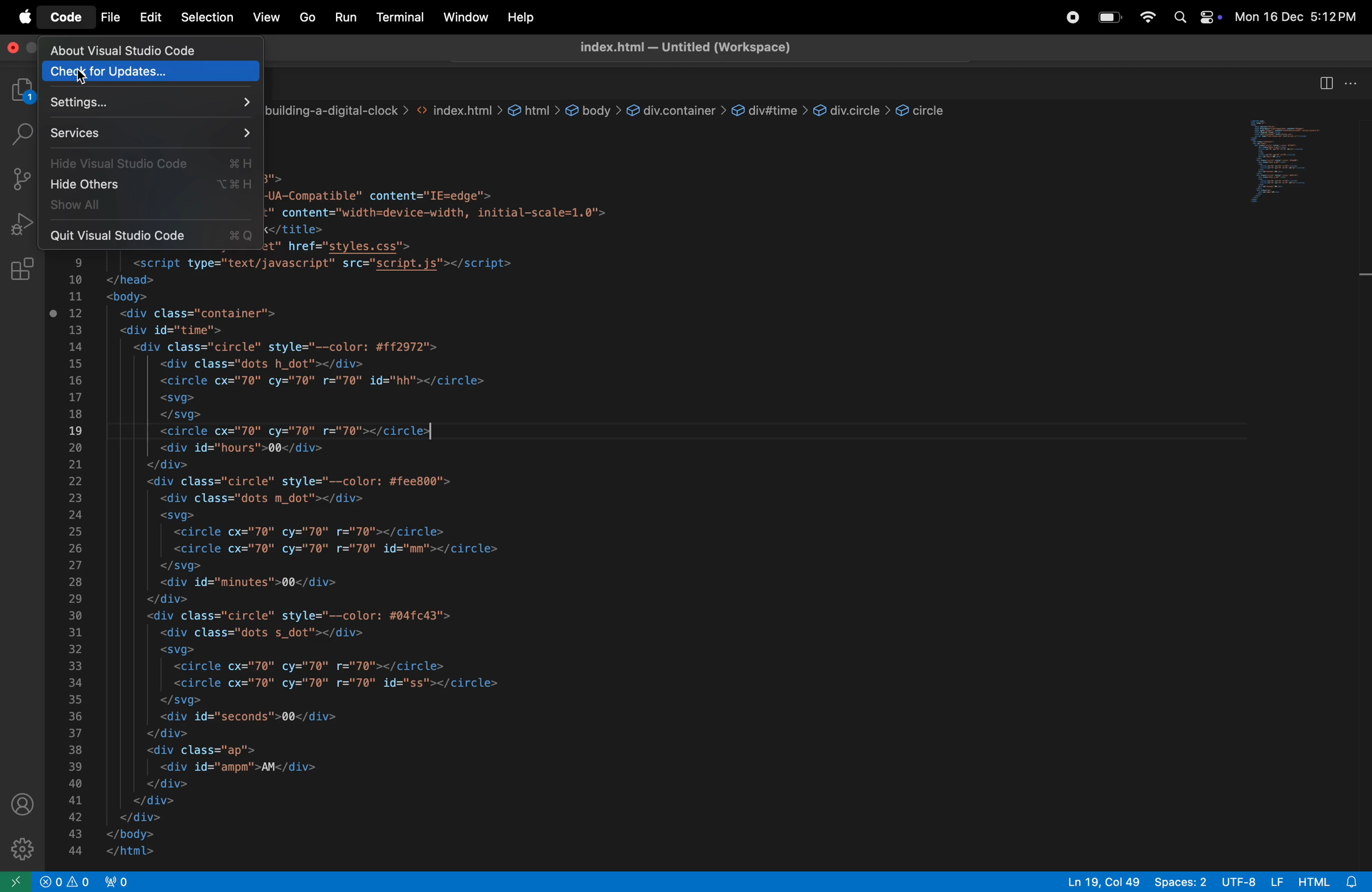 This screenshot has height=892, width=1372. I want to click on apple menu, so click(22, 20).